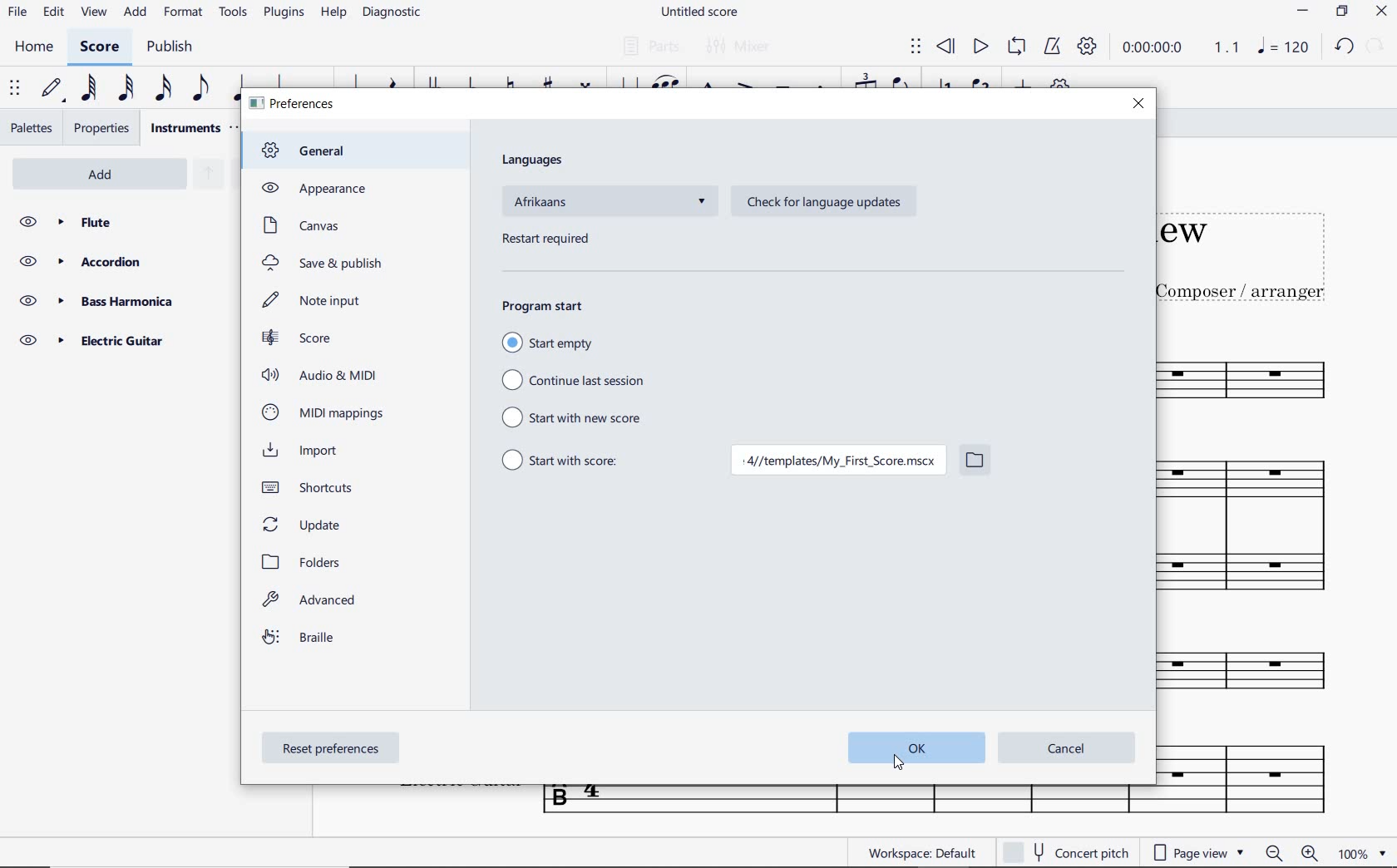 Image resolution: width=1397 pixels, height=868 pixels. What do you see at coordinates (304, 523) in the screenshot?
I see `update` at bounding box center [304, 523].